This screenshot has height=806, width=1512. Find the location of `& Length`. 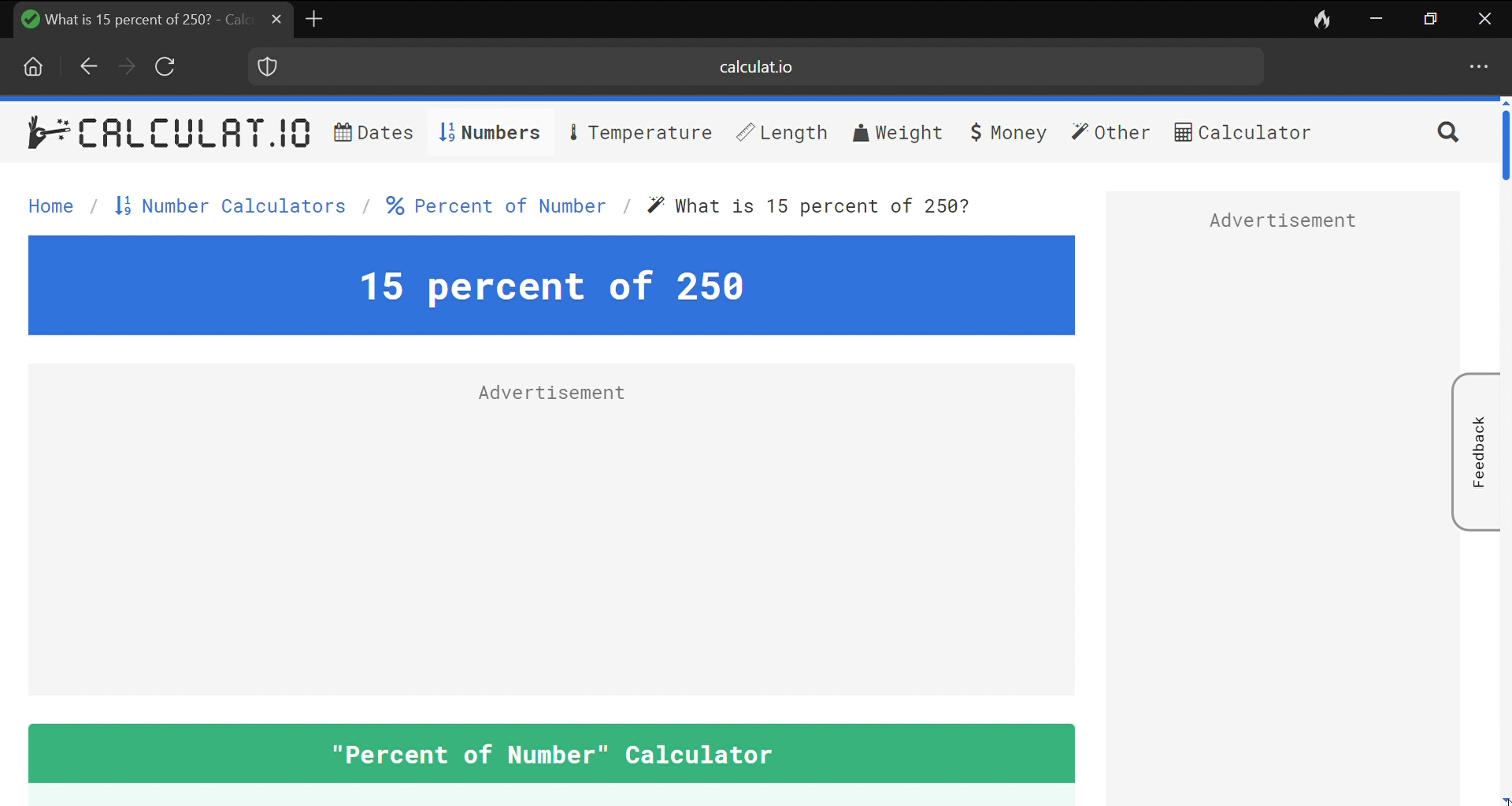

& Length is located at coordinates (780, 132).